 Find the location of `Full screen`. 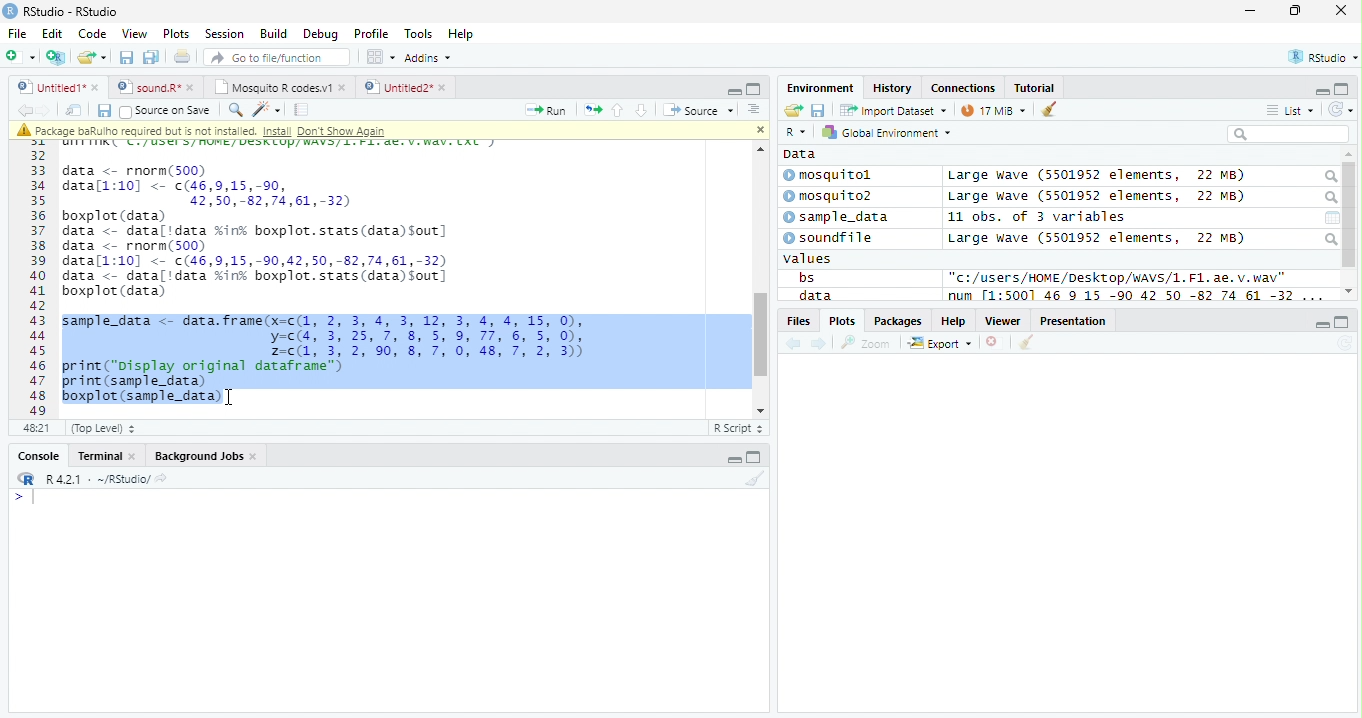

Full screen is located at coordinates (753, 89).